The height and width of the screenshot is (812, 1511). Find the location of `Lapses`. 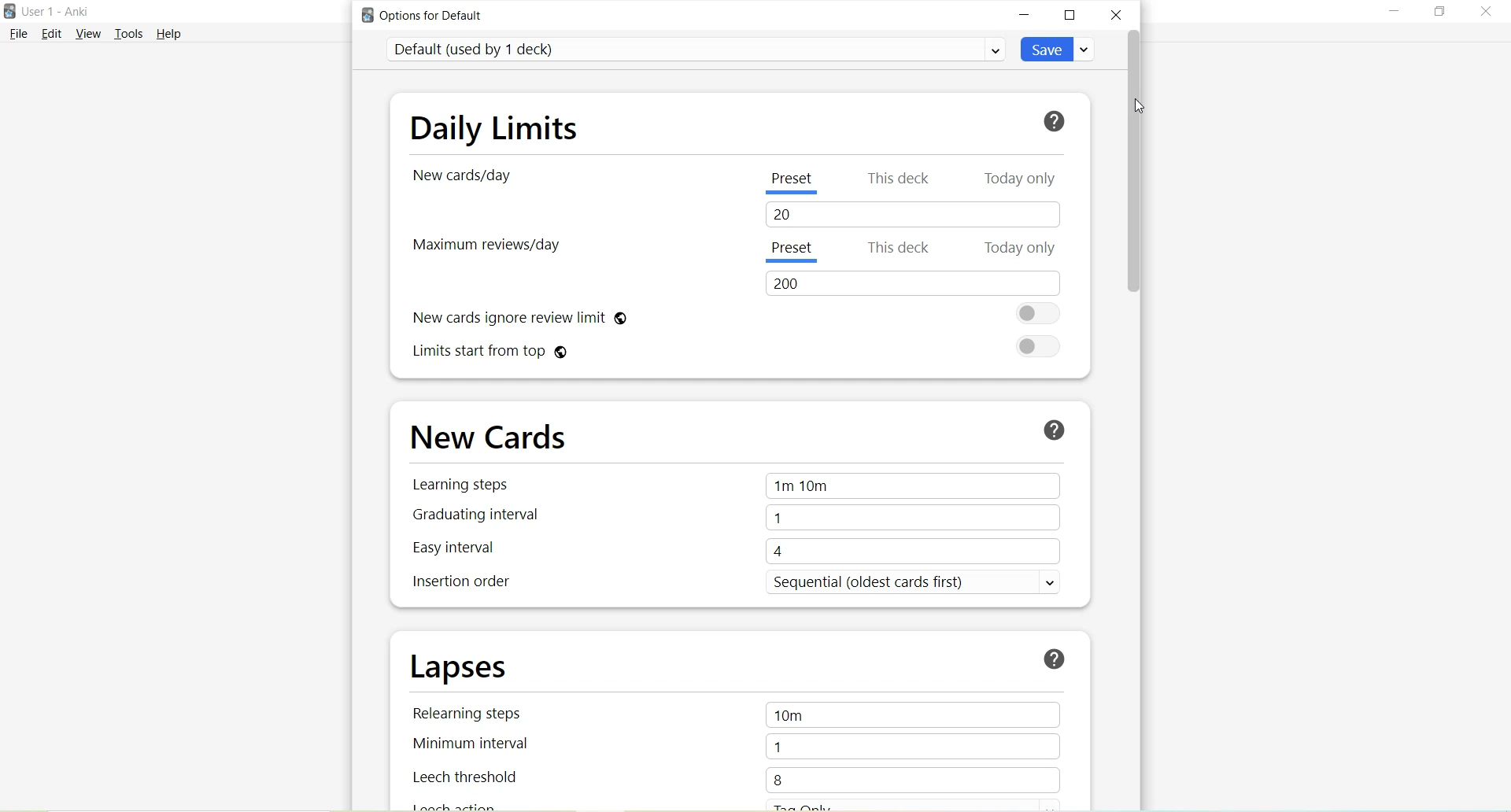

Lapses is located at coordinates (475, 666).